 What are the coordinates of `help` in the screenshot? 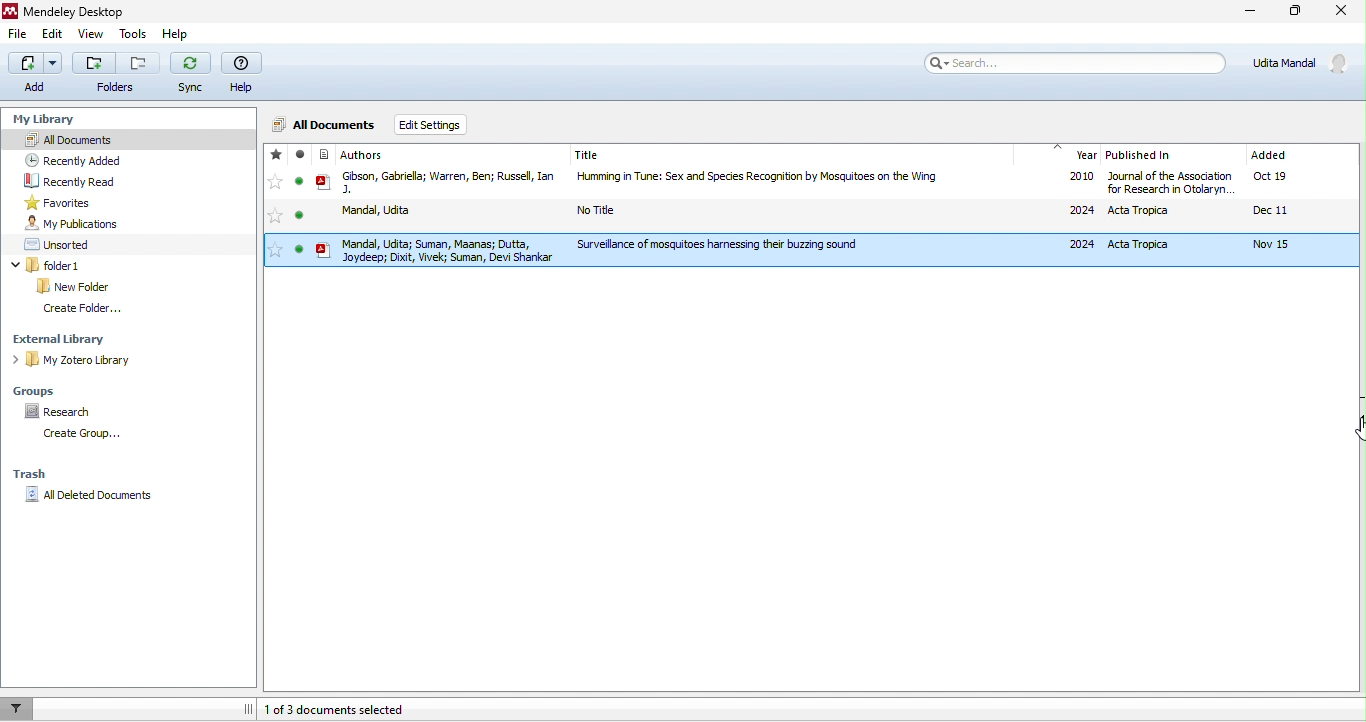 It's located at (175, 33).